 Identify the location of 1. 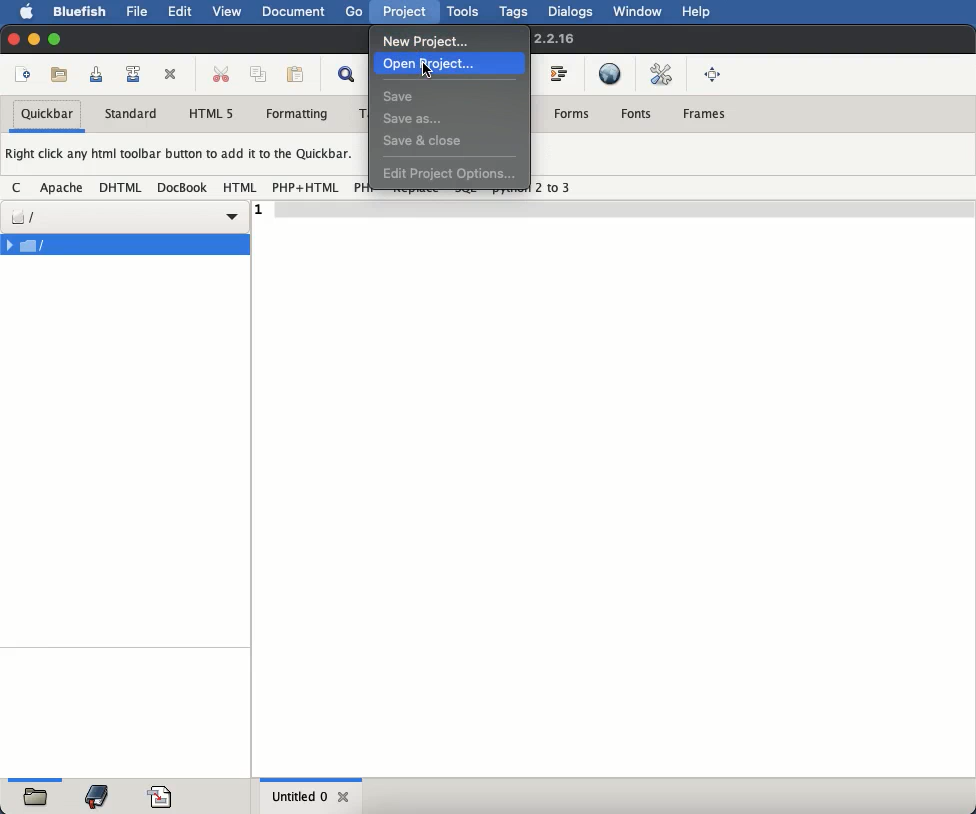
(265, 212).